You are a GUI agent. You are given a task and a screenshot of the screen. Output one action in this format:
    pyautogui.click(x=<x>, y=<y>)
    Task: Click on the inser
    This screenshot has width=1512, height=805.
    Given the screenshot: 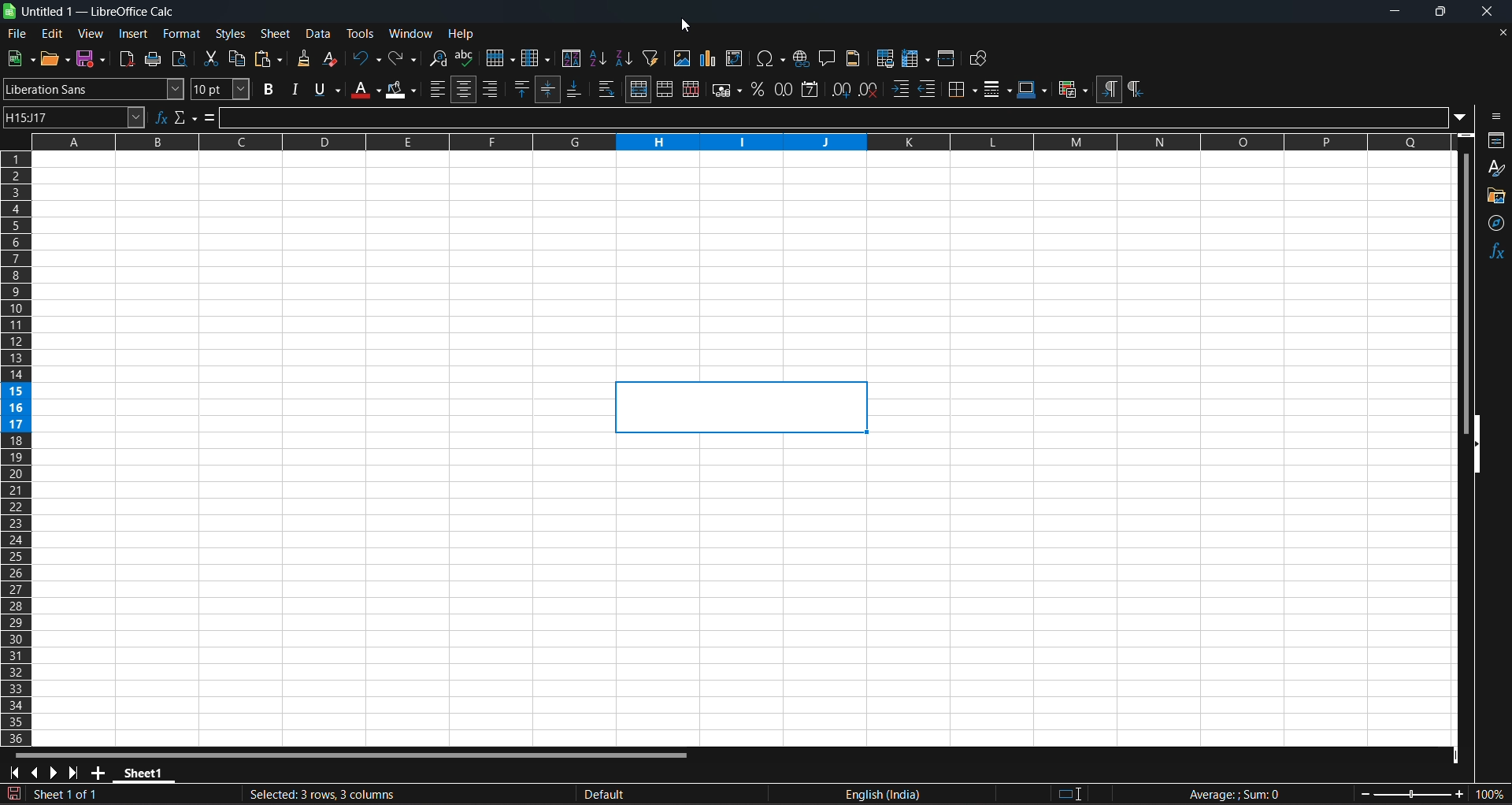 What is the action you would take?
    pyautogui.click(x=134, y=34)
    